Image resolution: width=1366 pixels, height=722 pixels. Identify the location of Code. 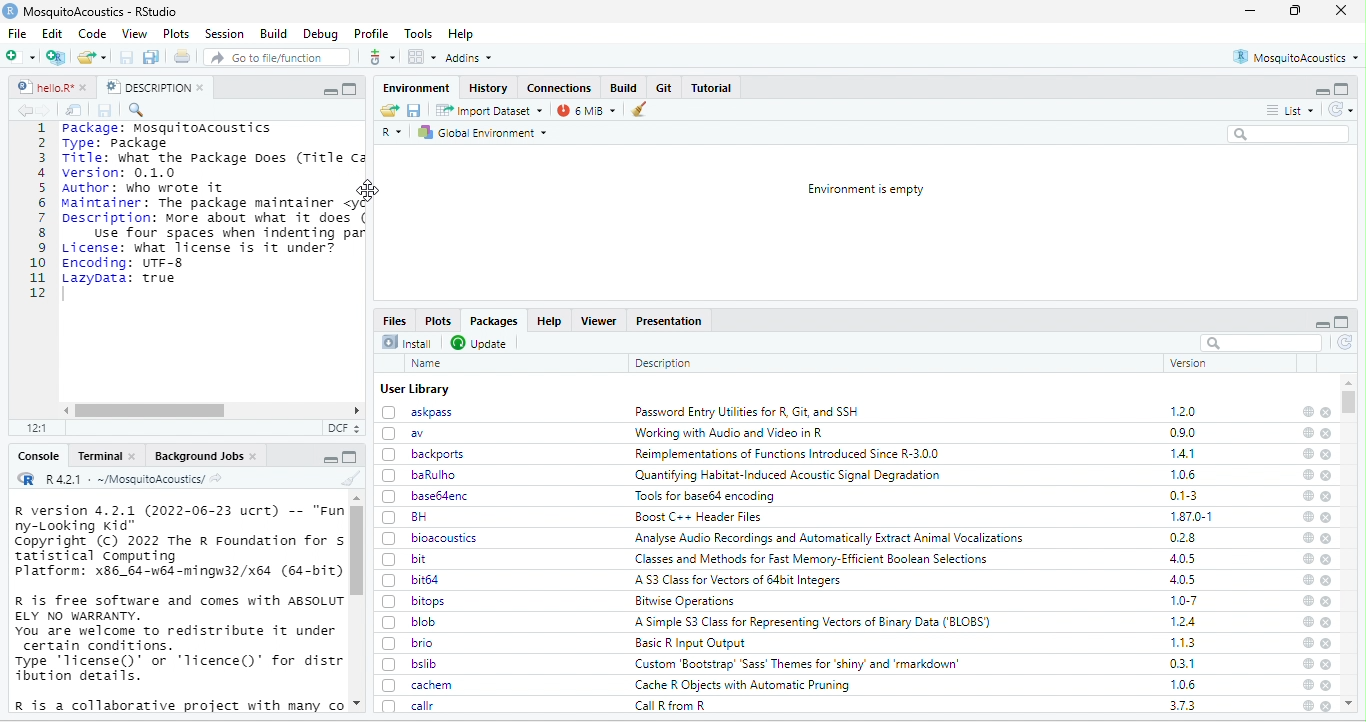
(93, 33).